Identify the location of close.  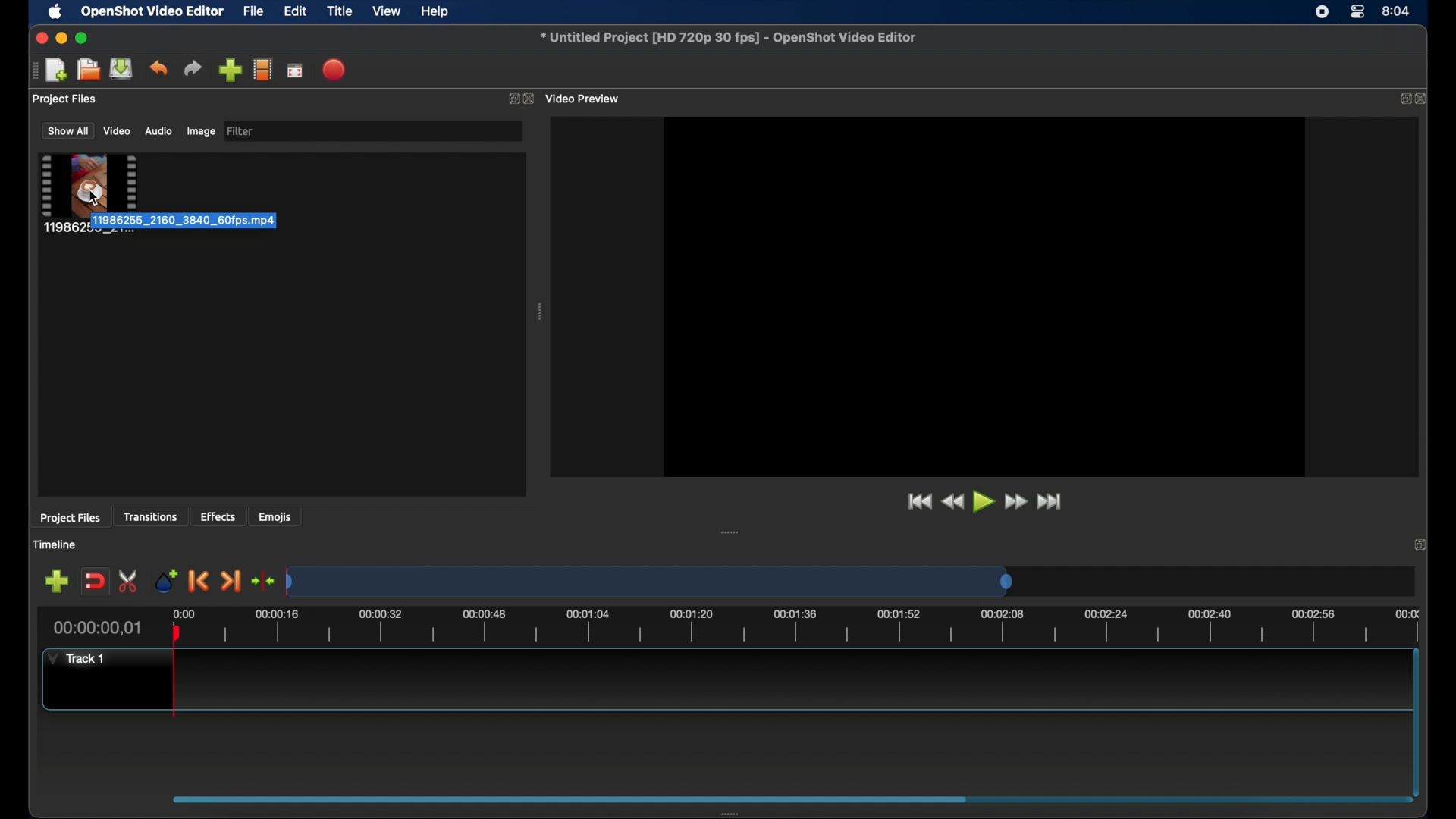
(1424, 99).